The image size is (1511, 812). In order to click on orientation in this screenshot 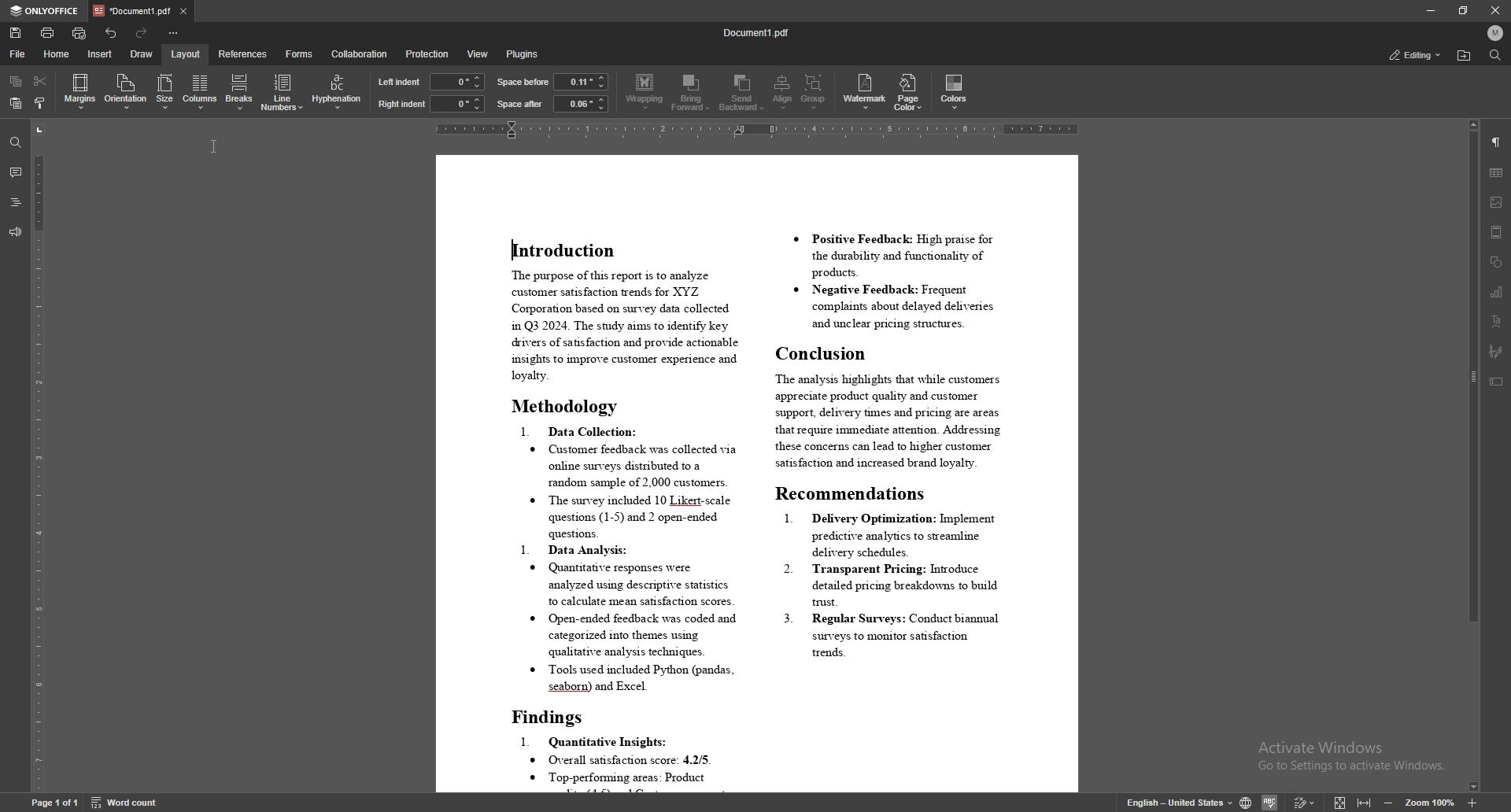, I will do `click(125, 91)`.